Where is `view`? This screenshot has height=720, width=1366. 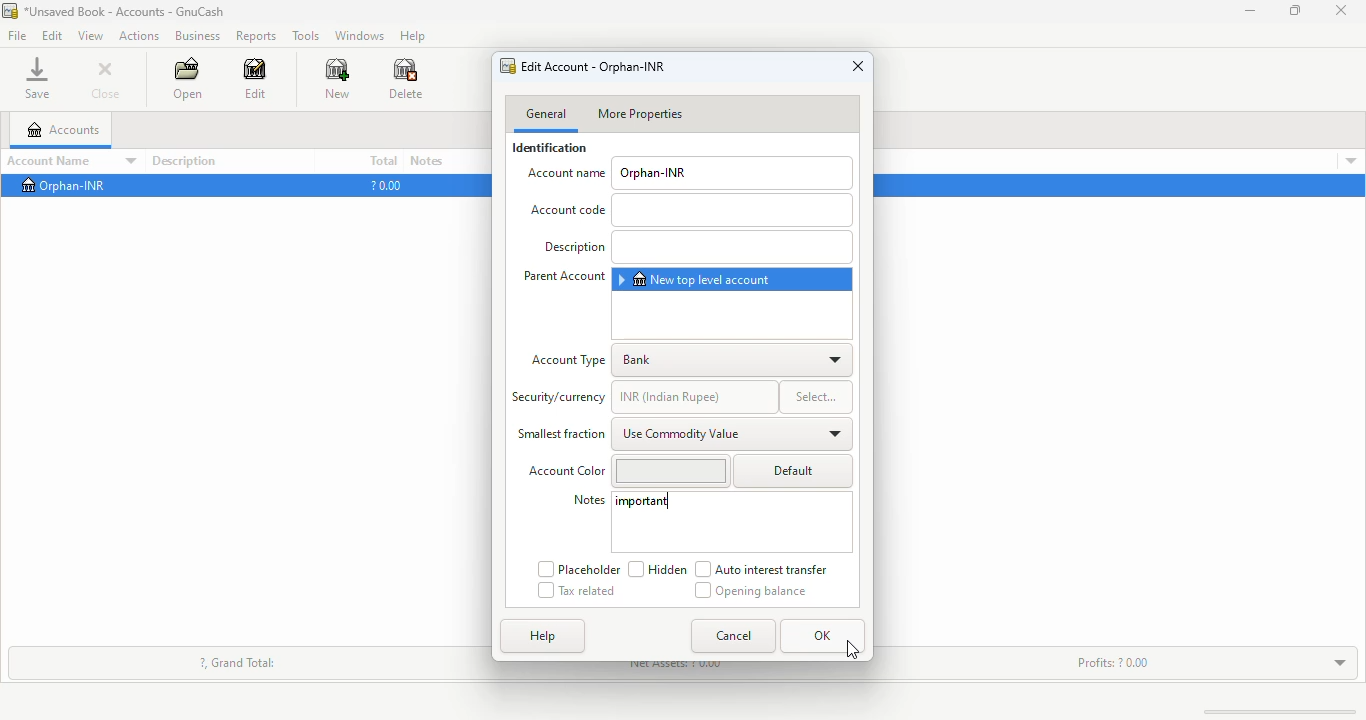
view is located at coordinates (90, 36).